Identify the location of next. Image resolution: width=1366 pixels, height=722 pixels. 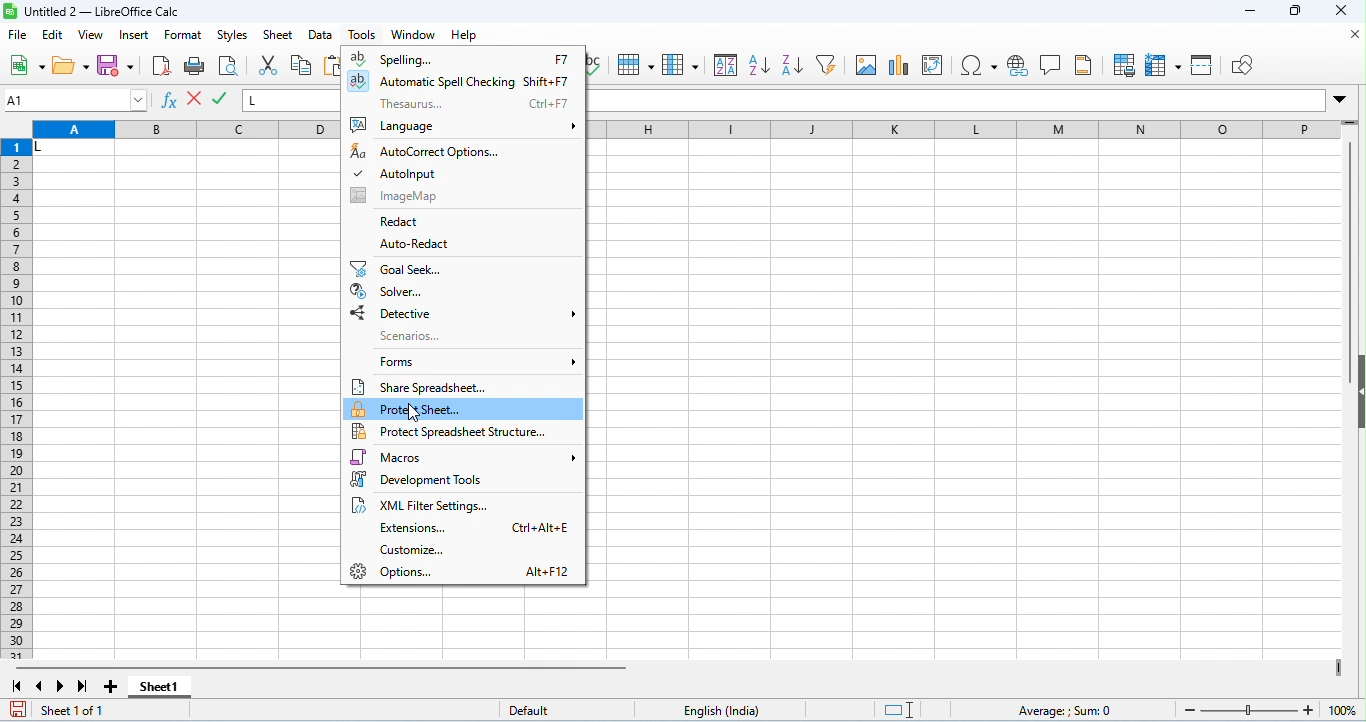
(61, 686).